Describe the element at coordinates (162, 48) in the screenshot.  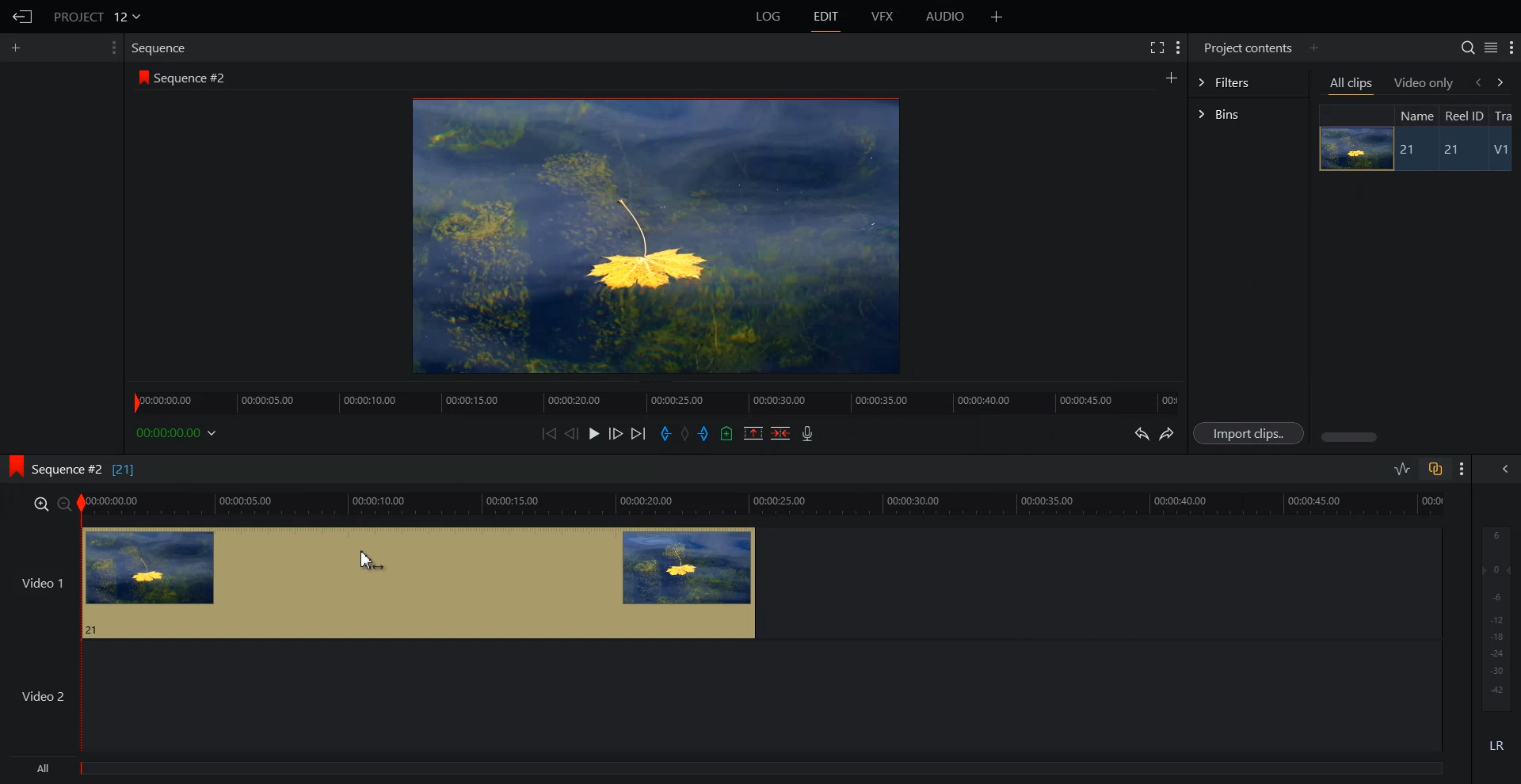
I see `Sequence` at that location.